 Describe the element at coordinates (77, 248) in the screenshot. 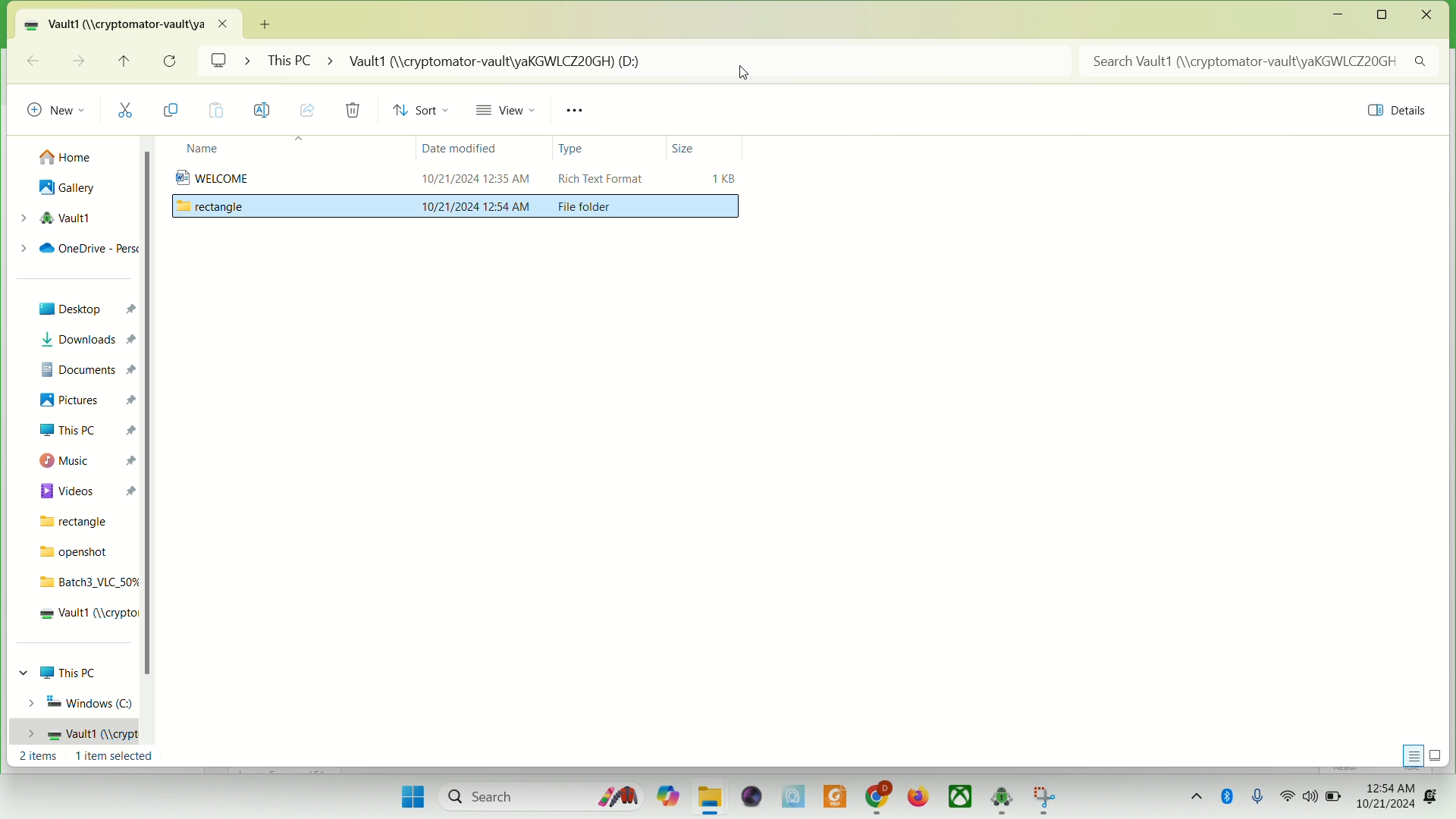

I see `onedrive-personal` at that location.